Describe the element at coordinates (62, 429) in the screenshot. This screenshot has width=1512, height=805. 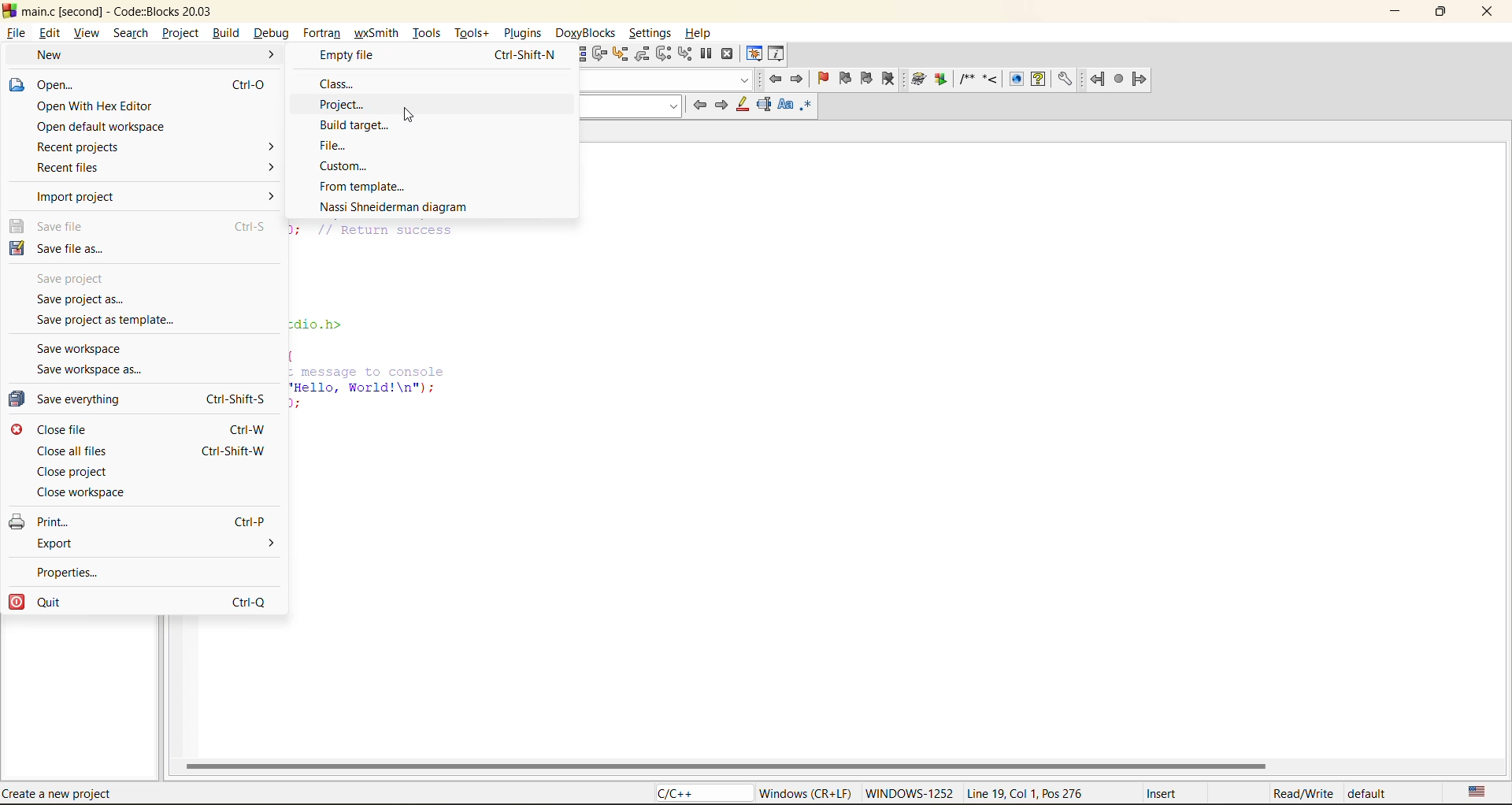
I see `close file` at that location.